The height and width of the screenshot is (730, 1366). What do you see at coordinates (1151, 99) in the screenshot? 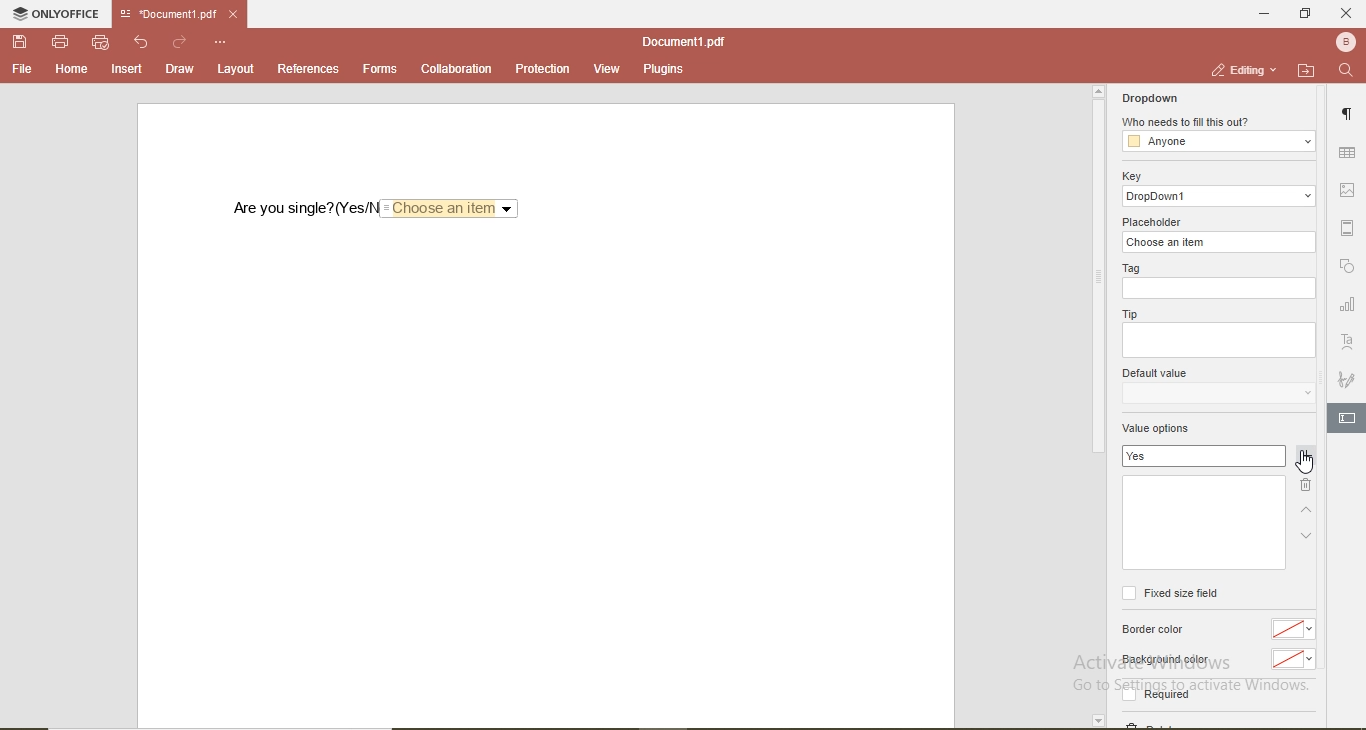
I see `dropdown` at bounding box center [1151, 99].